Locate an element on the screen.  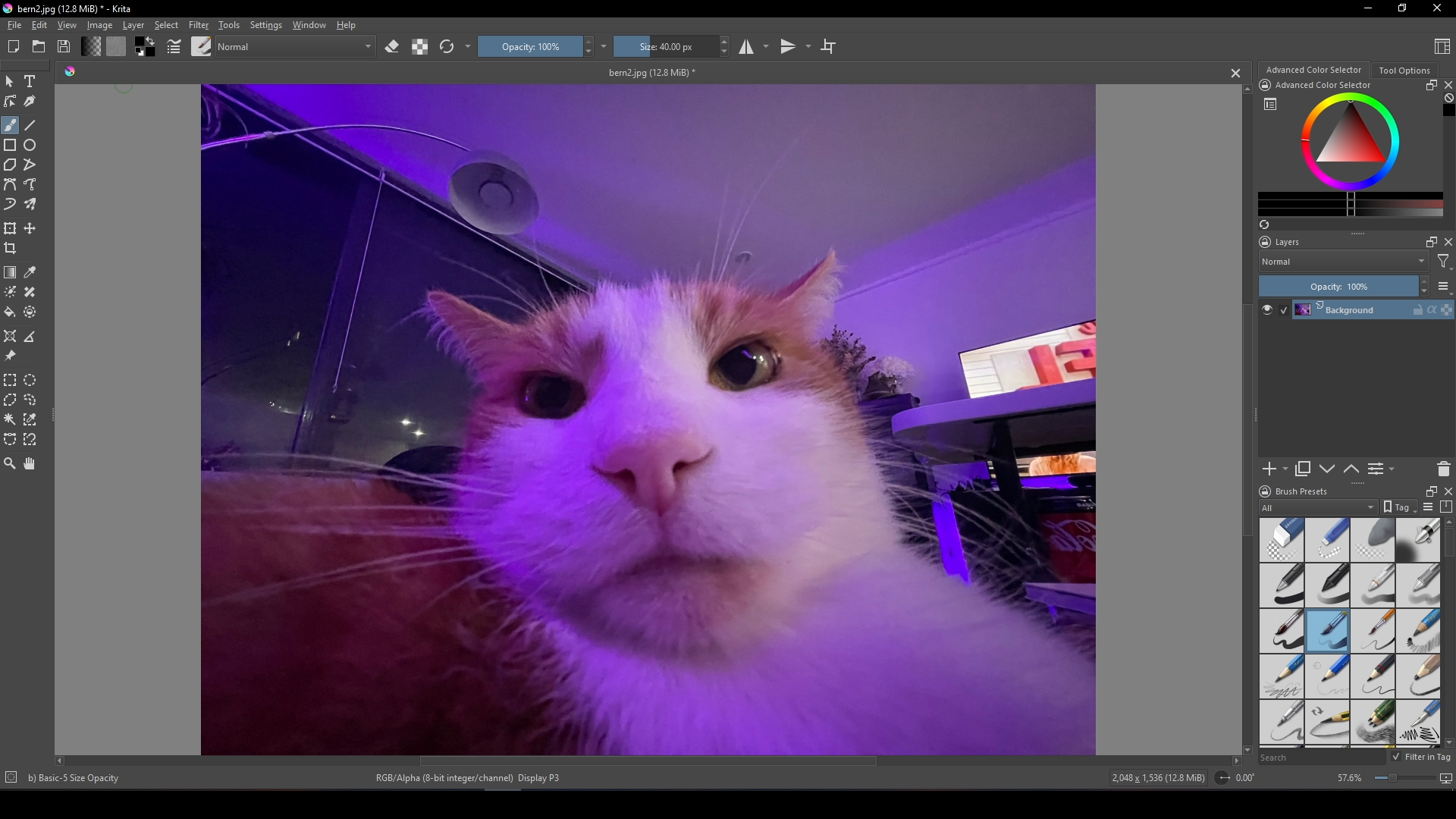
Brush preset search is located at coordinates (1324, 758).